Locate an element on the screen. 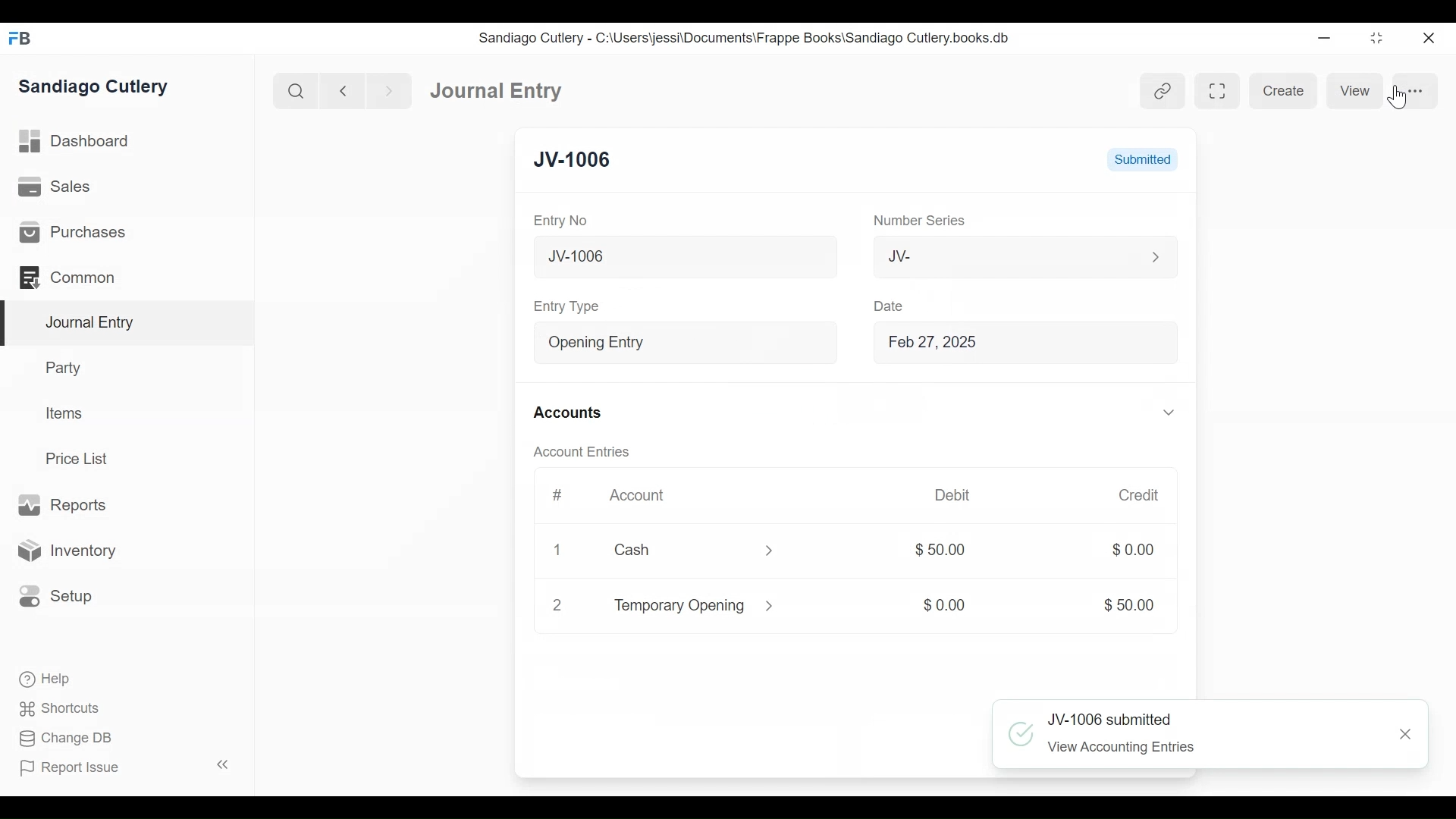 The image size is (1456, 819). View linked entries is located at coordinates (1163, 90).